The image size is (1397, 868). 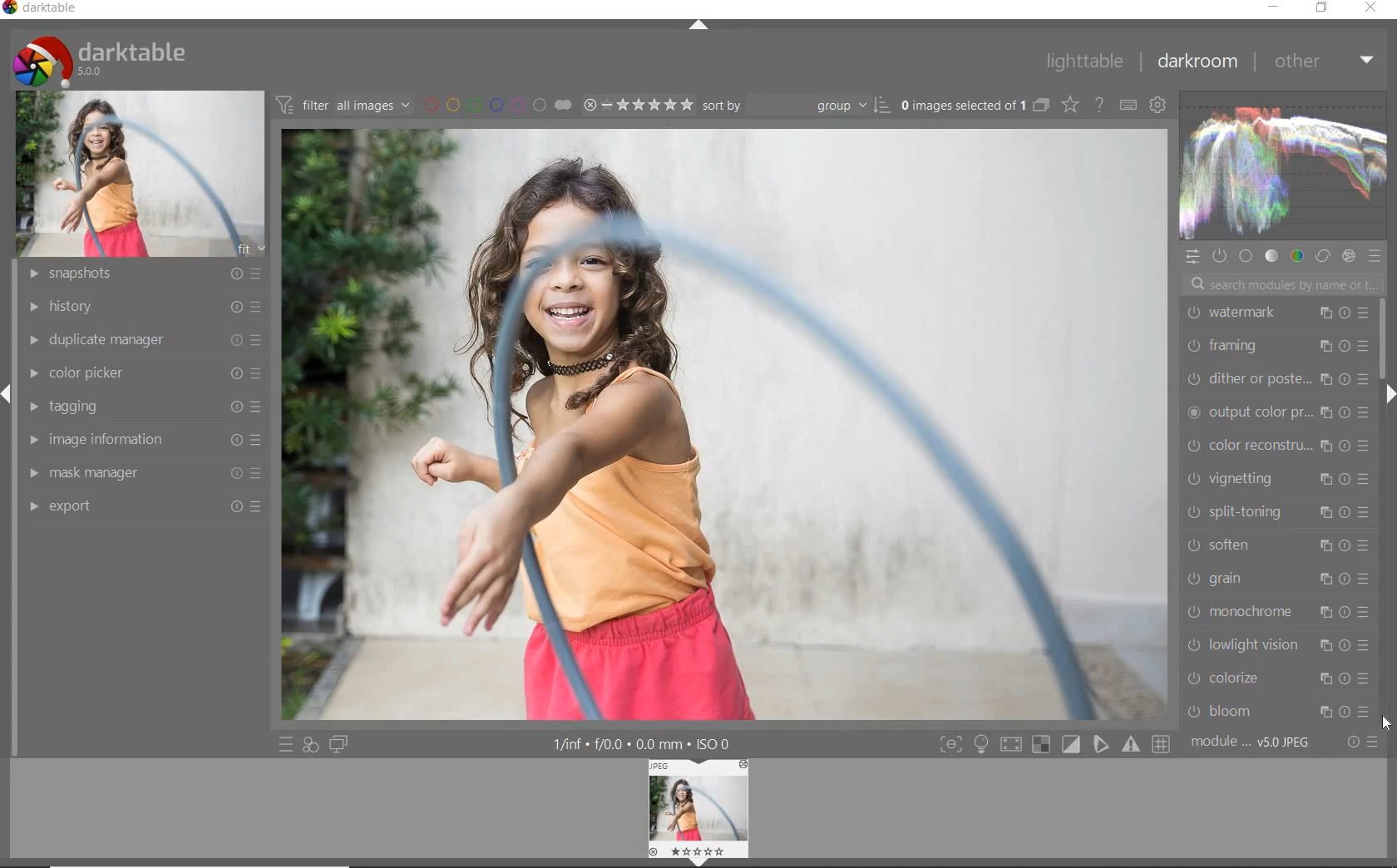 What do you see at coordinates (1200, 62) in the screenshot?
I see `darkroom` at bounding box center [1200, 62].